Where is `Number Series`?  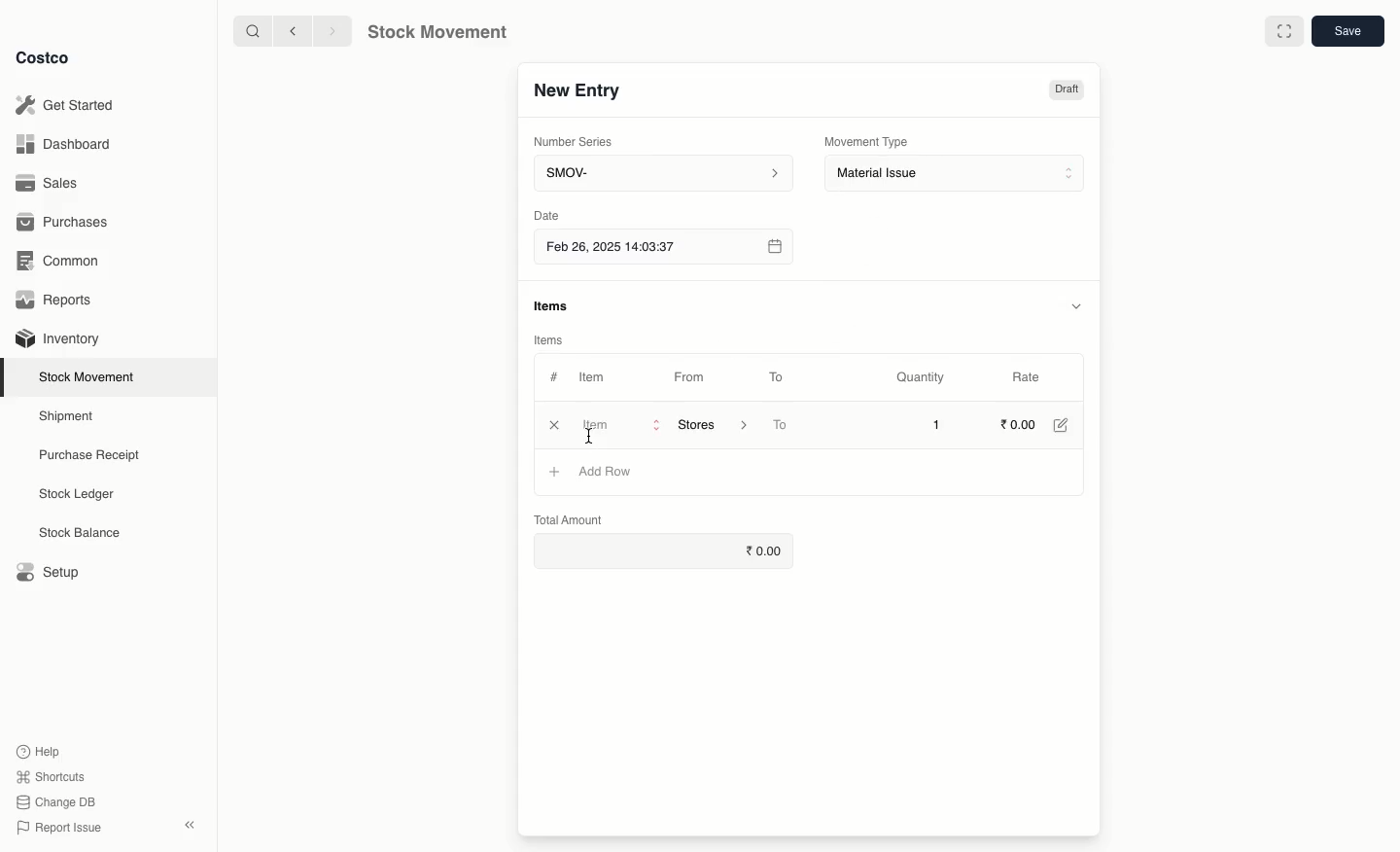 Number Series is located at coordinates (580, 145).